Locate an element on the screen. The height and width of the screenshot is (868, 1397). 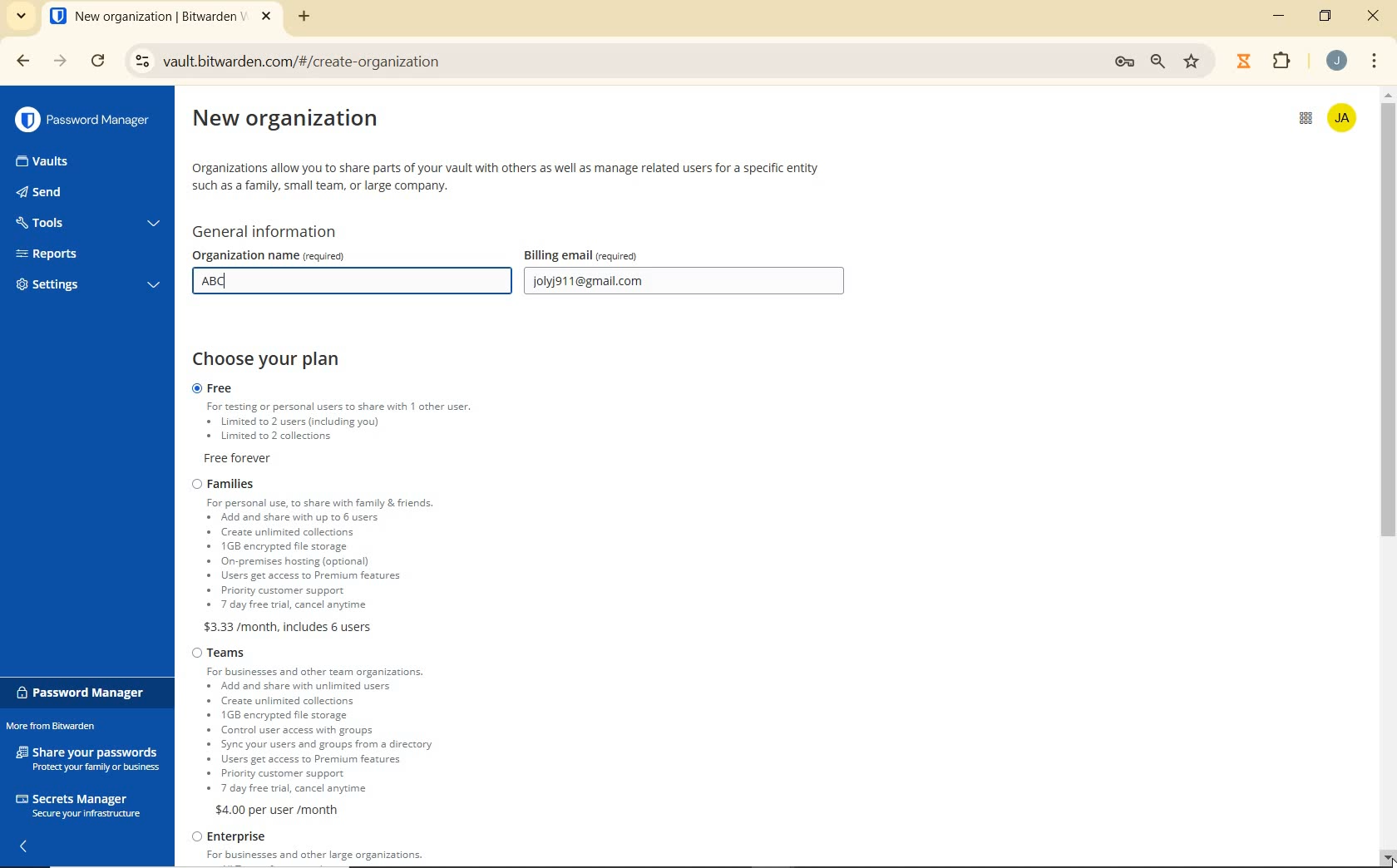
admin console is located at coordinates (1299, 125).